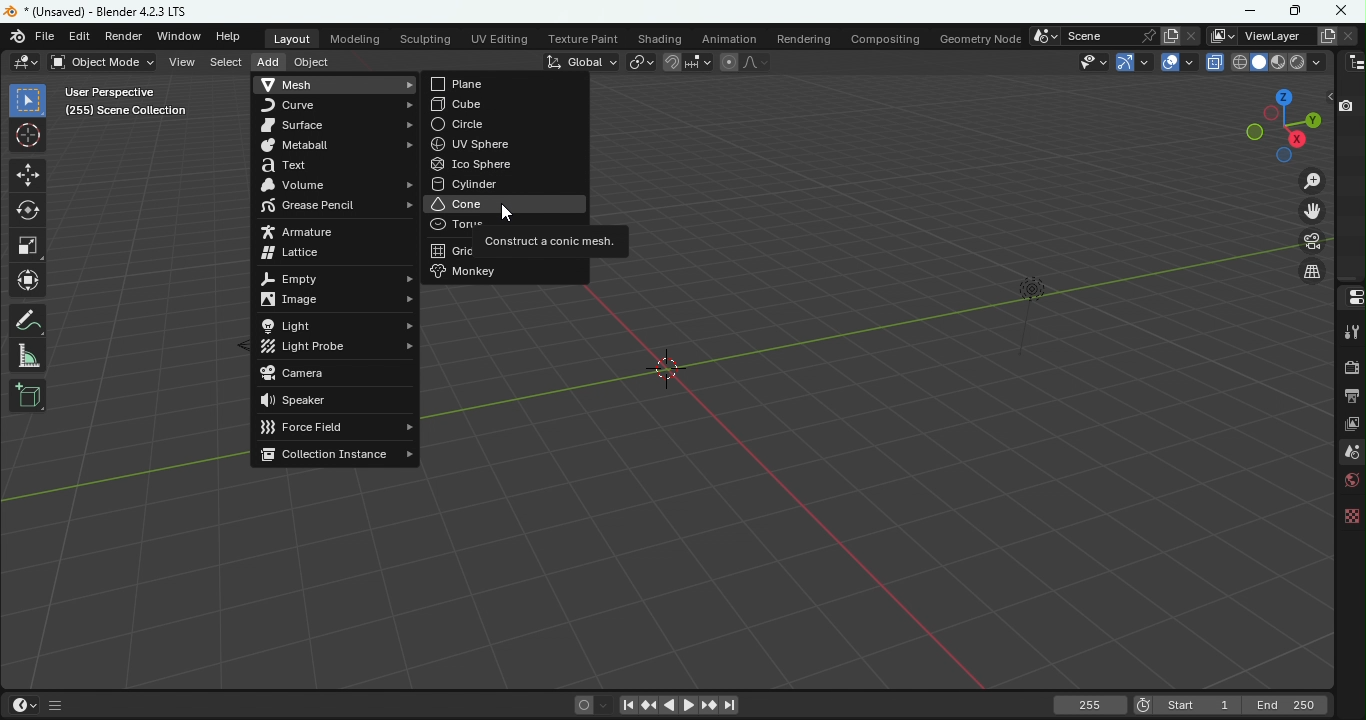  Describe the element at coordinates (1252, 132) in the screenshot. I see `Rotate the scene` at that location.